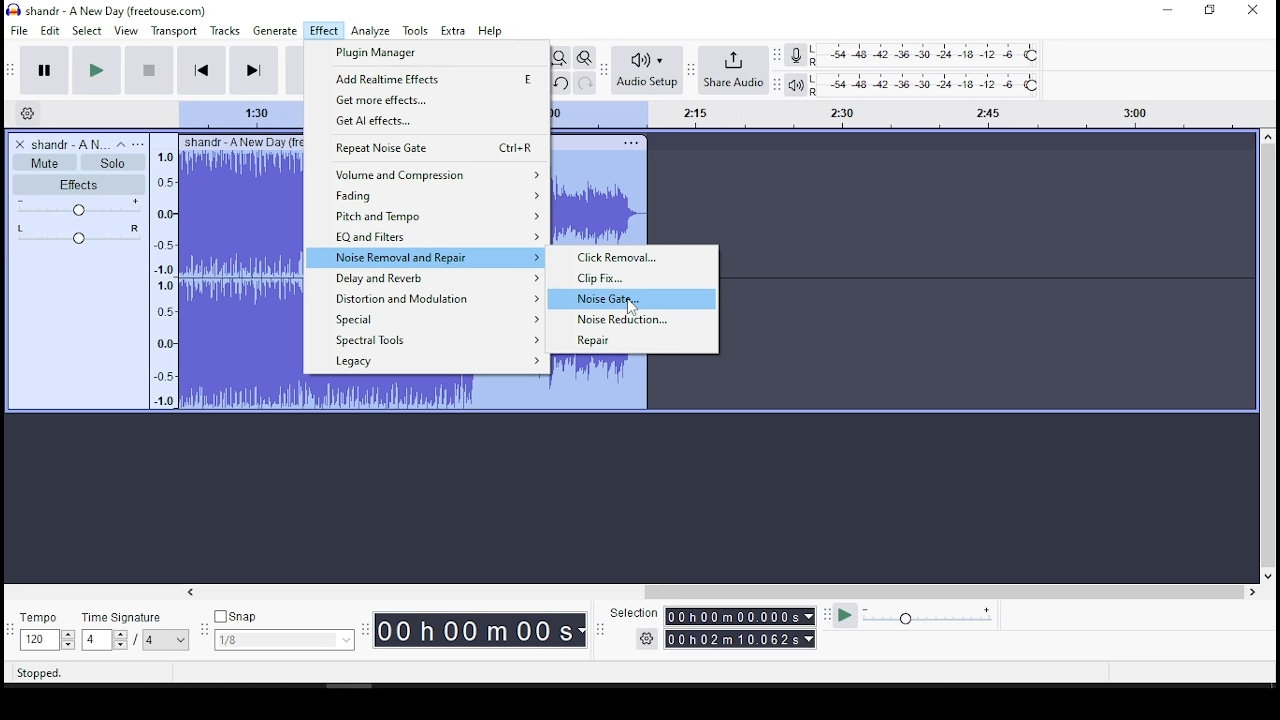 The width and height of the screenshot is (1280, 720). What do you see at coordinates (733, 71) in the screenshot?
I see `share audio` at bounding box center [733, 71].